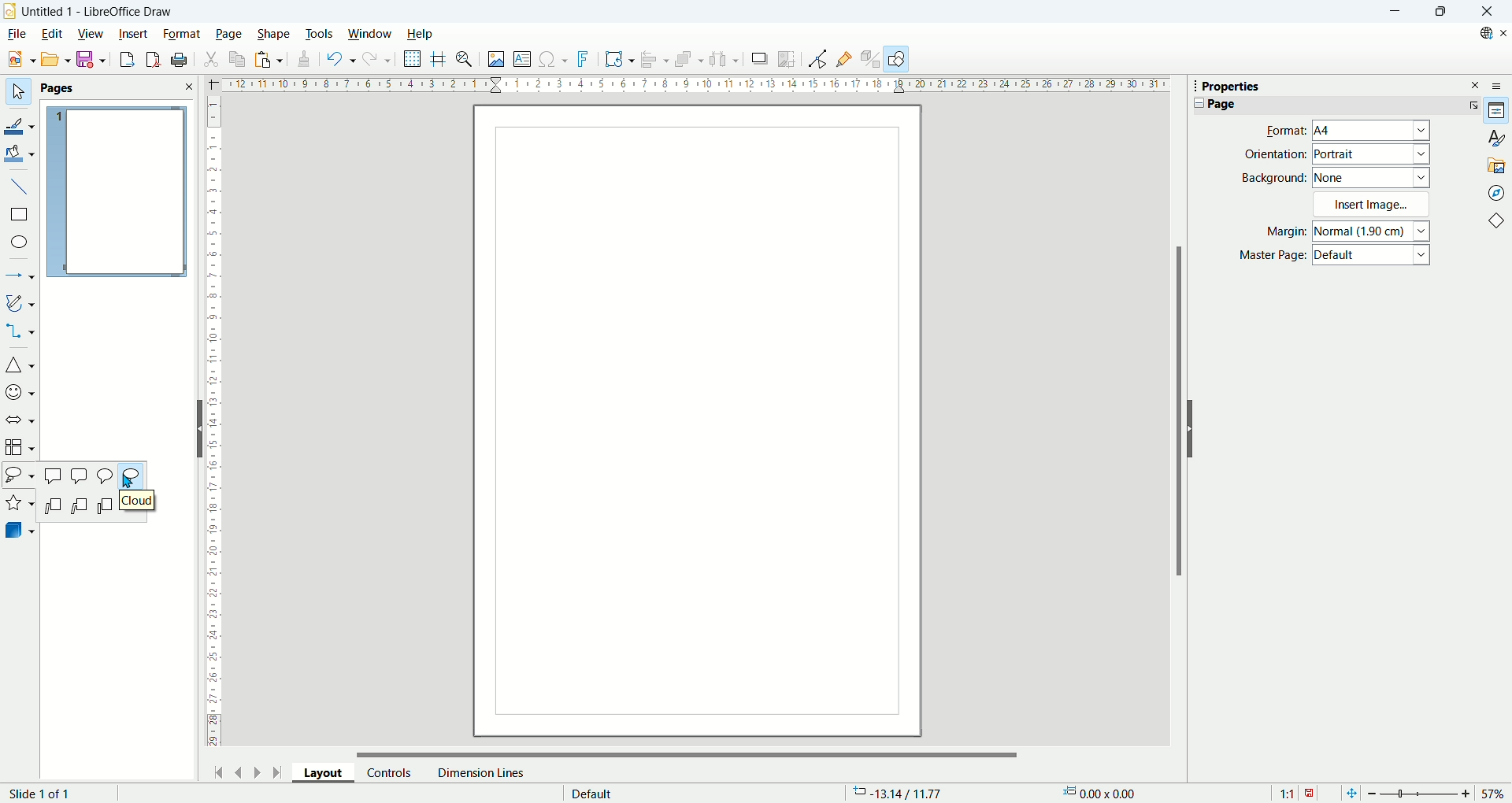 The width and height of the screenshot is (1512, 803). I want to click on insert special character, so click(555, 58).